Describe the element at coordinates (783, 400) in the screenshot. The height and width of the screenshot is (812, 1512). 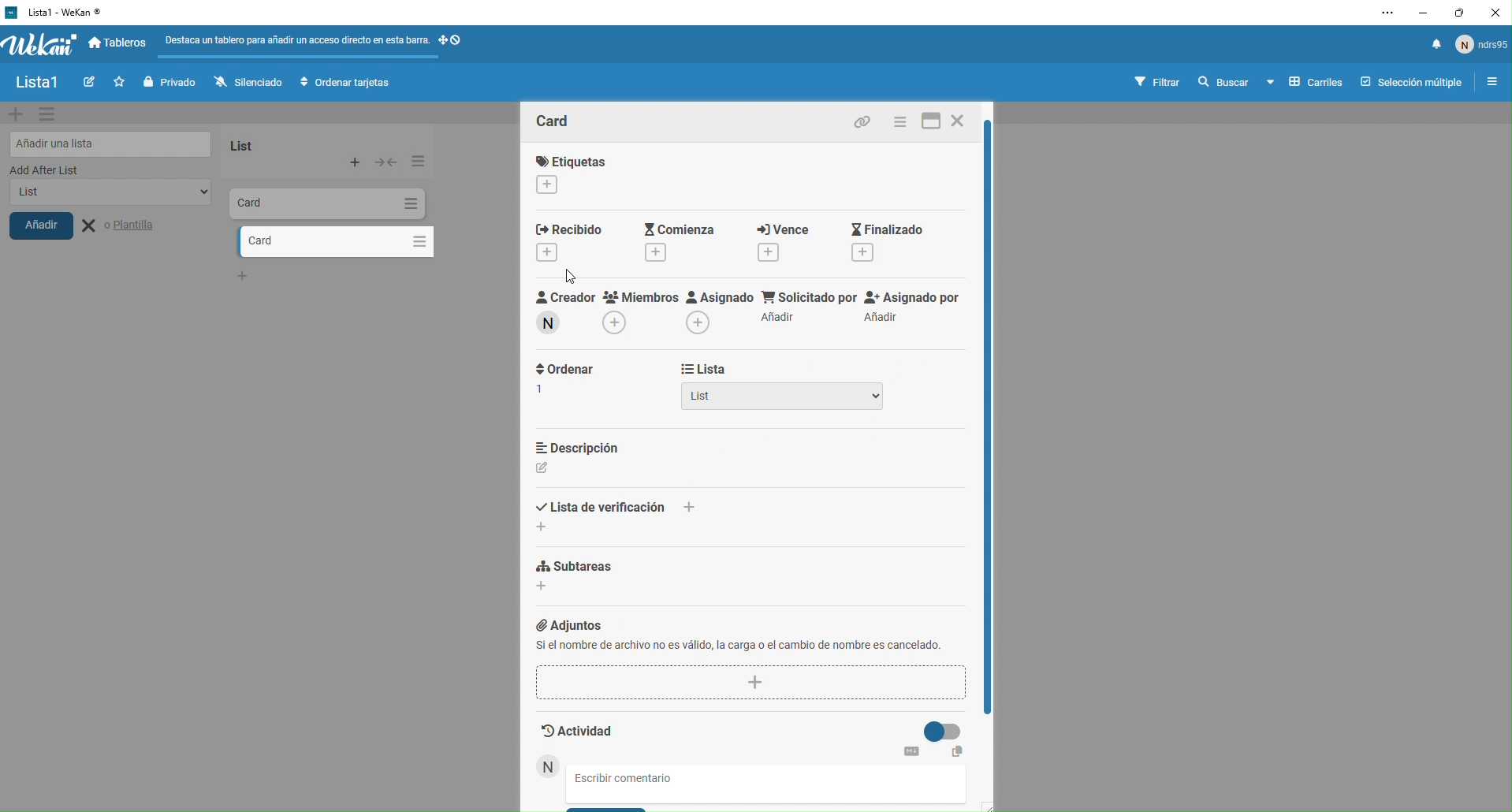
I see `List` at that location.